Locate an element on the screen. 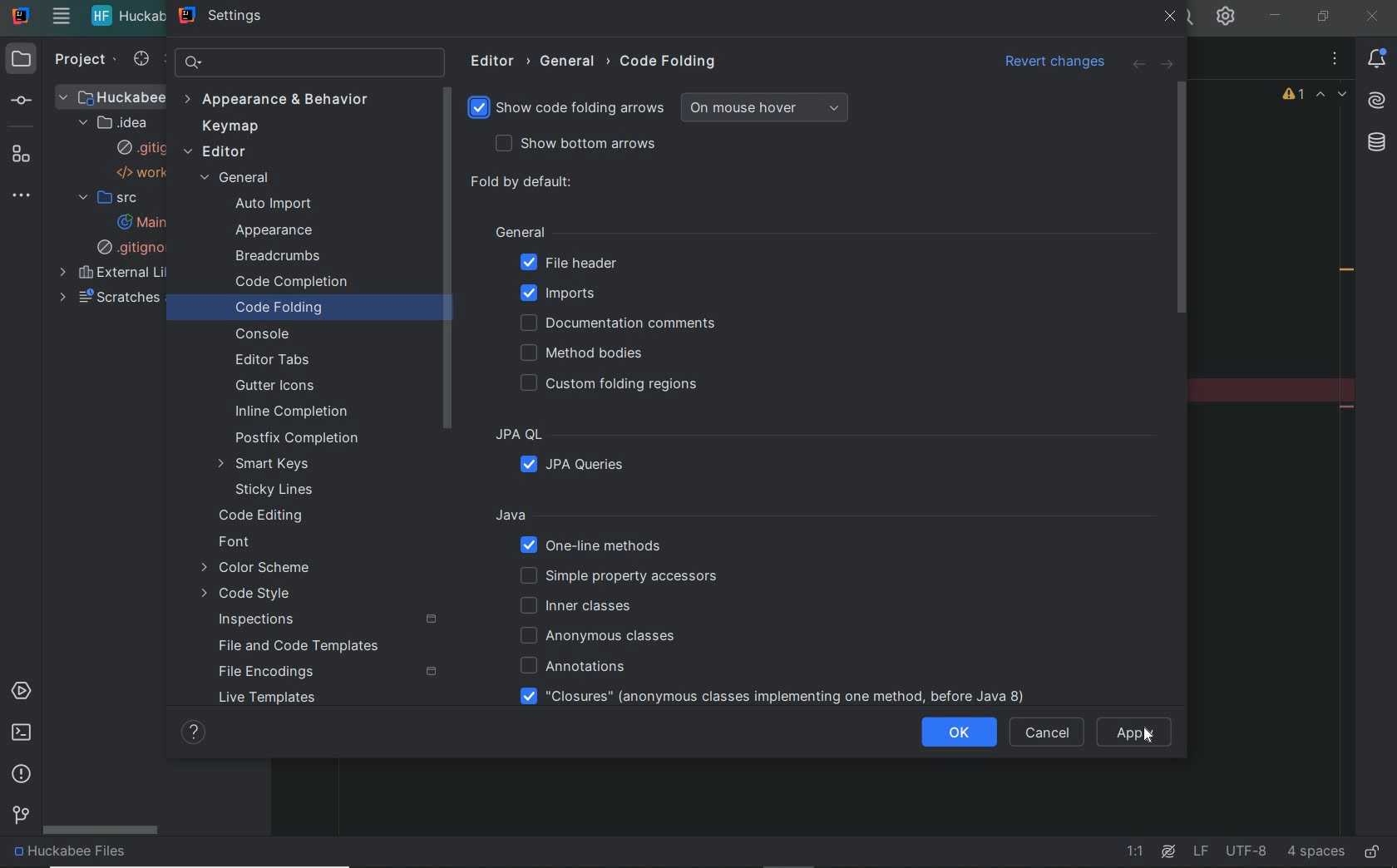 This screenshot has height=868, width=1397. project is located at coordinates (79, 62).